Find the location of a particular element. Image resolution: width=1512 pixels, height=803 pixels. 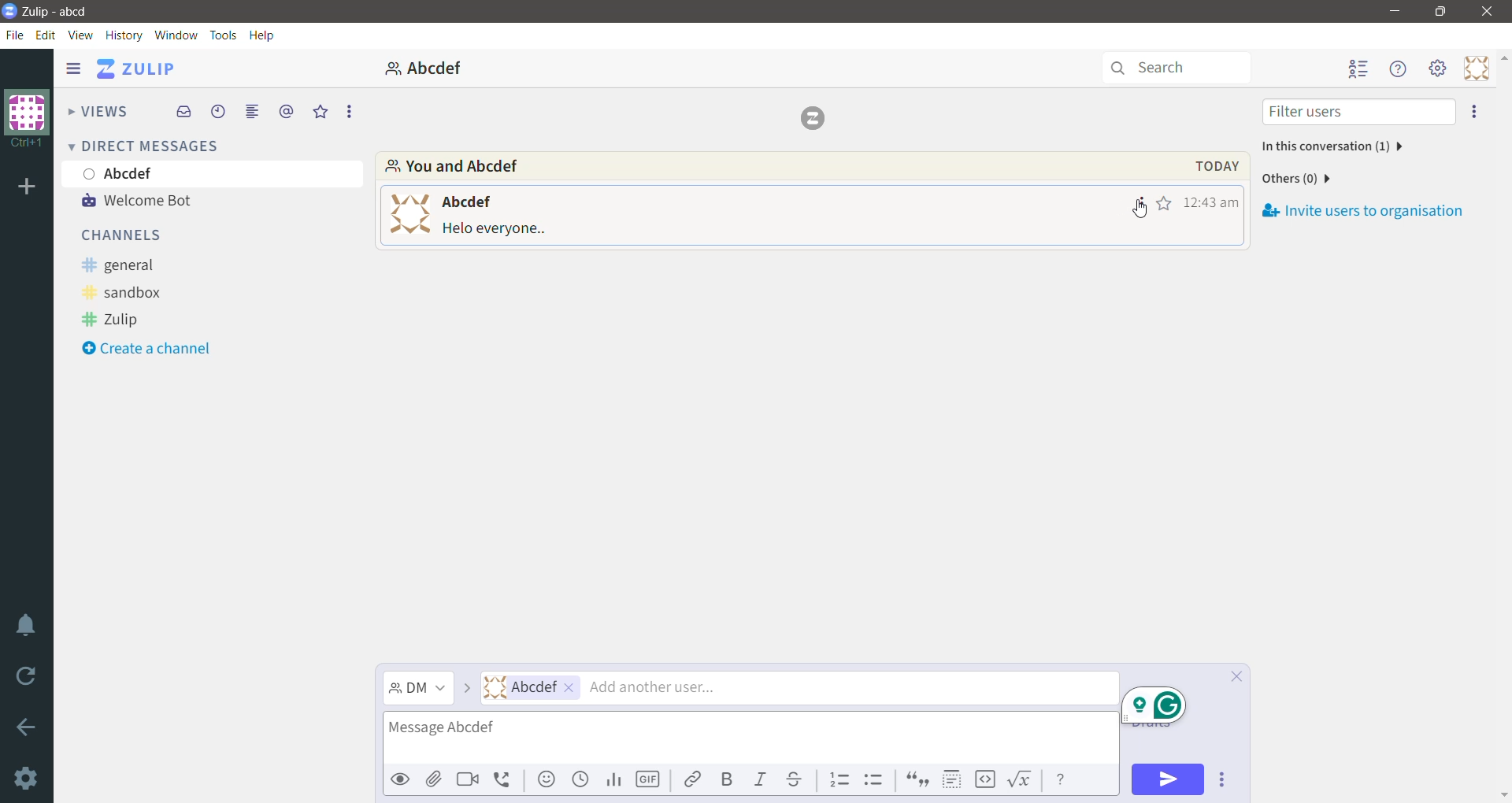

Vertical Scroll Bar is located at coordinates (1503, 426).